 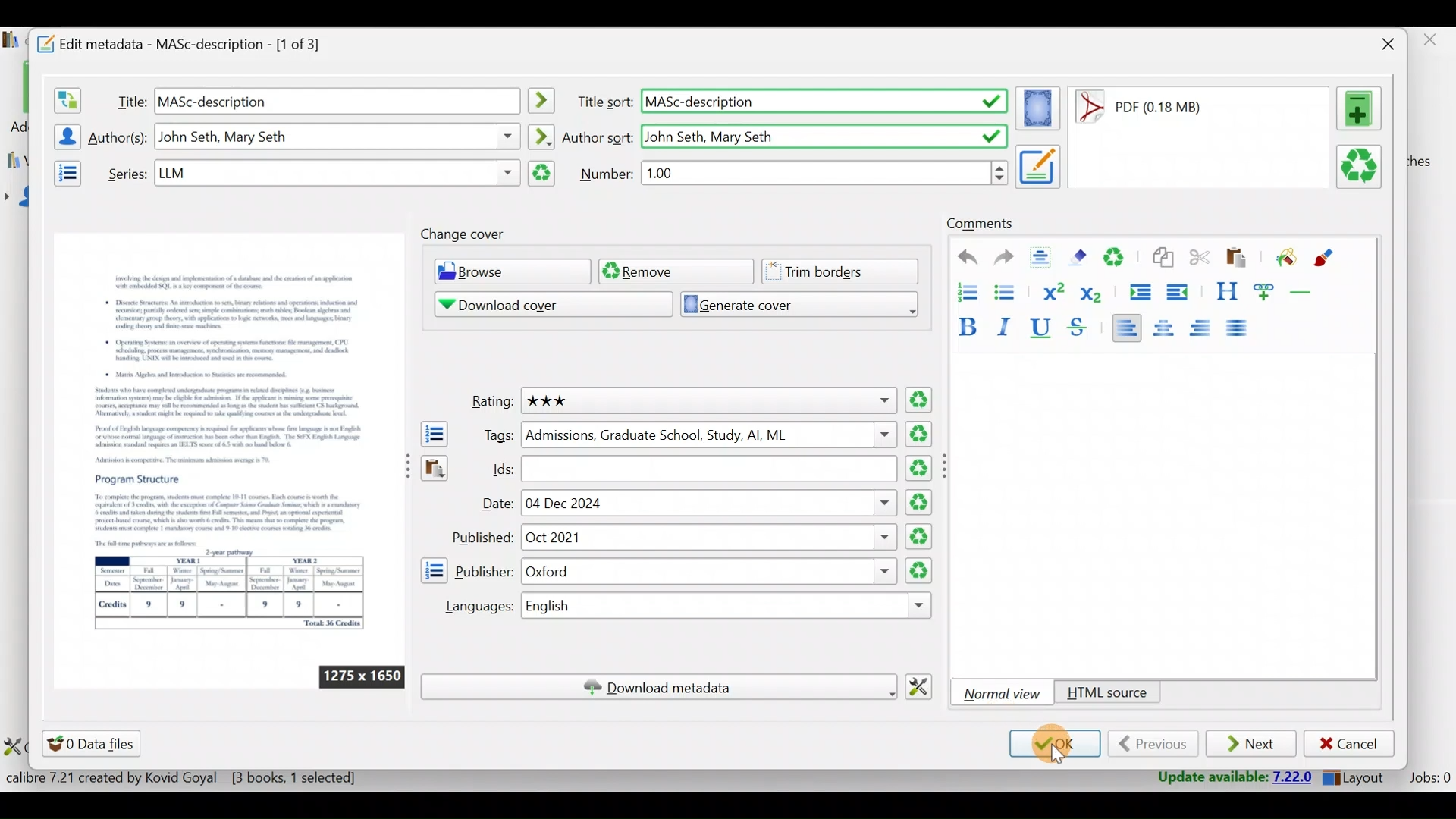 What do you see at coordinates (711, 503) in the screenshot?
I see `` at bounding box center [711, 503].